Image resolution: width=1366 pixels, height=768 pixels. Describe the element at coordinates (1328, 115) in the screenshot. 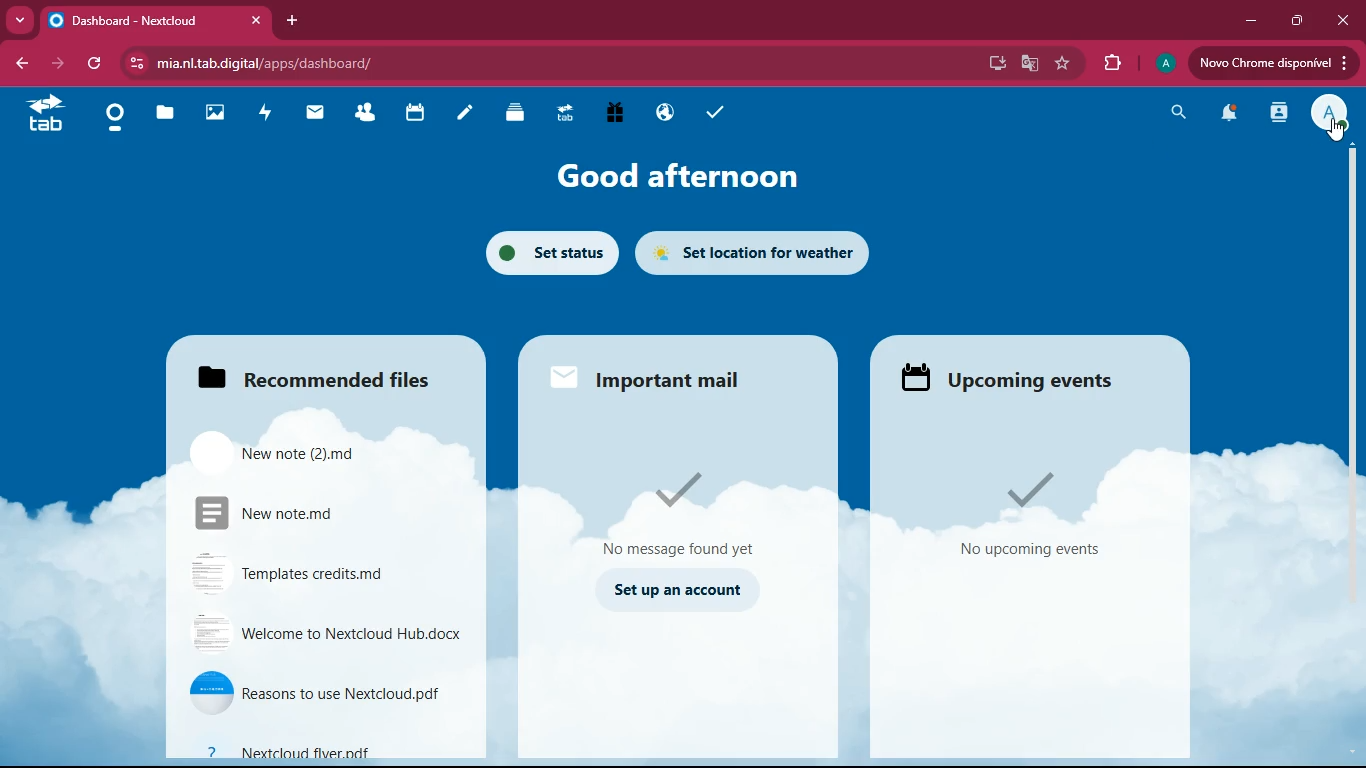

I see `profile` at that location.